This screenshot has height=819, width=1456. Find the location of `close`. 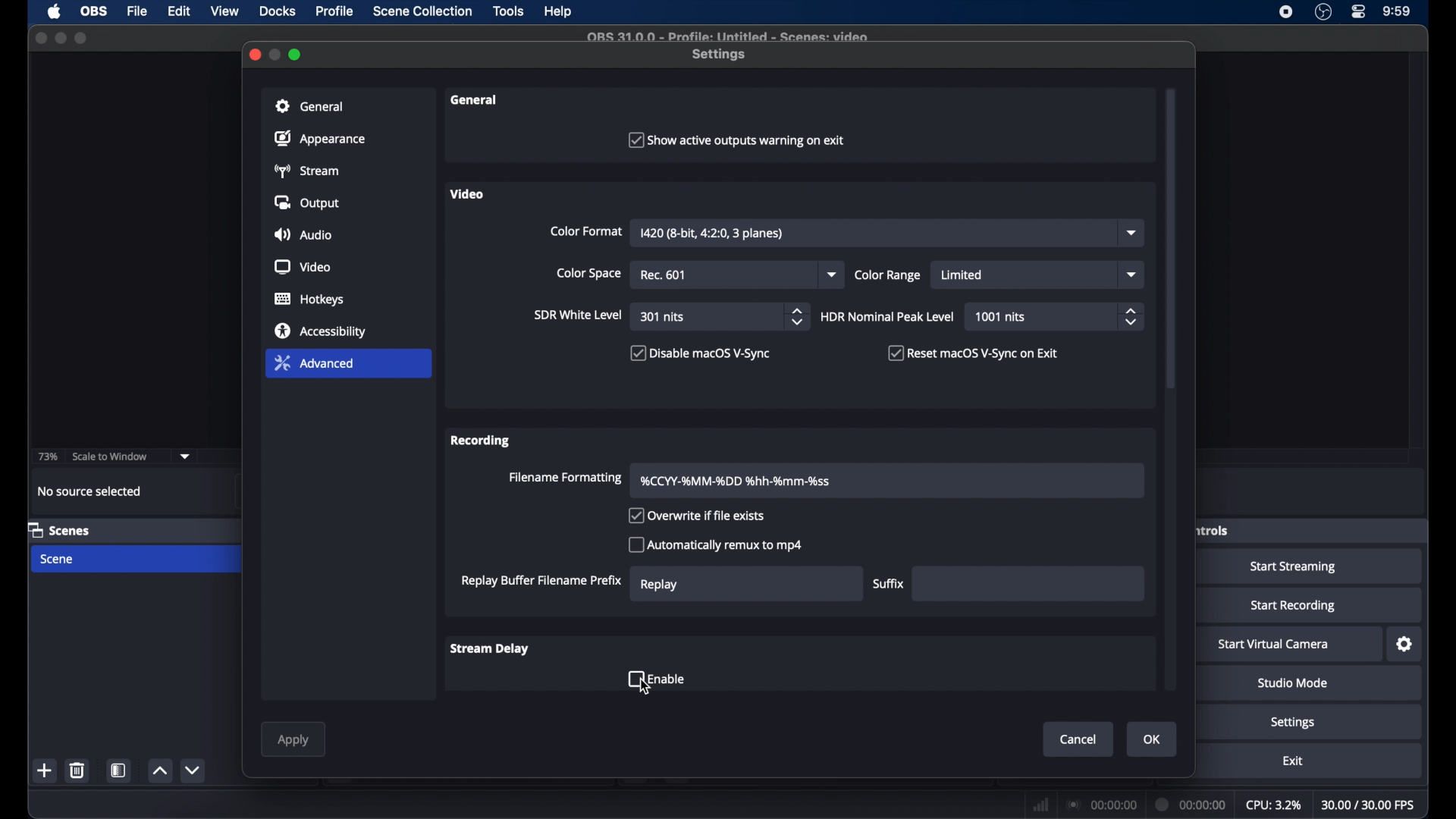

close is located at coordinates (254, 55).